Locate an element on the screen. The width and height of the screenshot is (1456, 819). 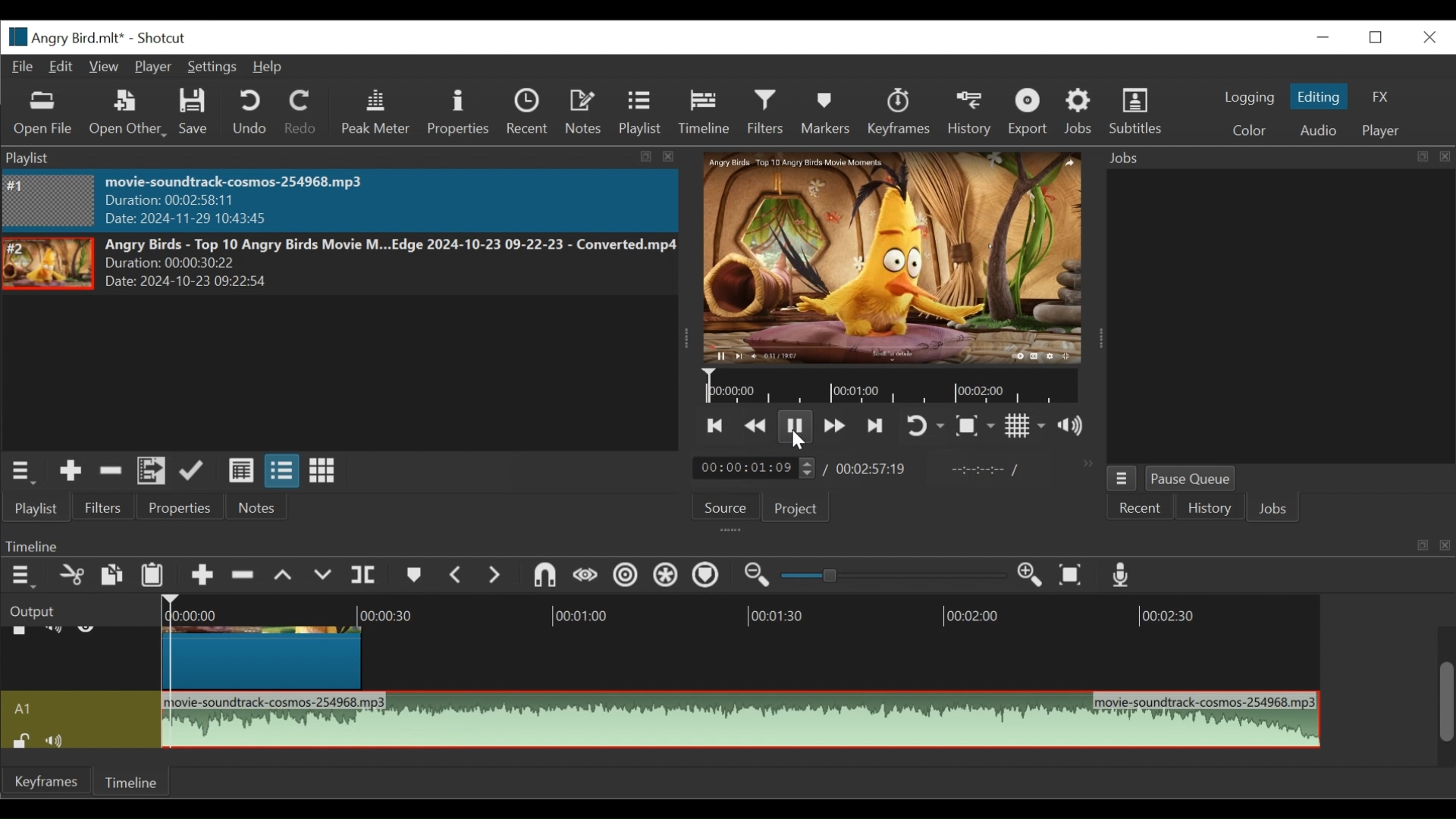
Timeline cursor is located at coordinates (171, 673).